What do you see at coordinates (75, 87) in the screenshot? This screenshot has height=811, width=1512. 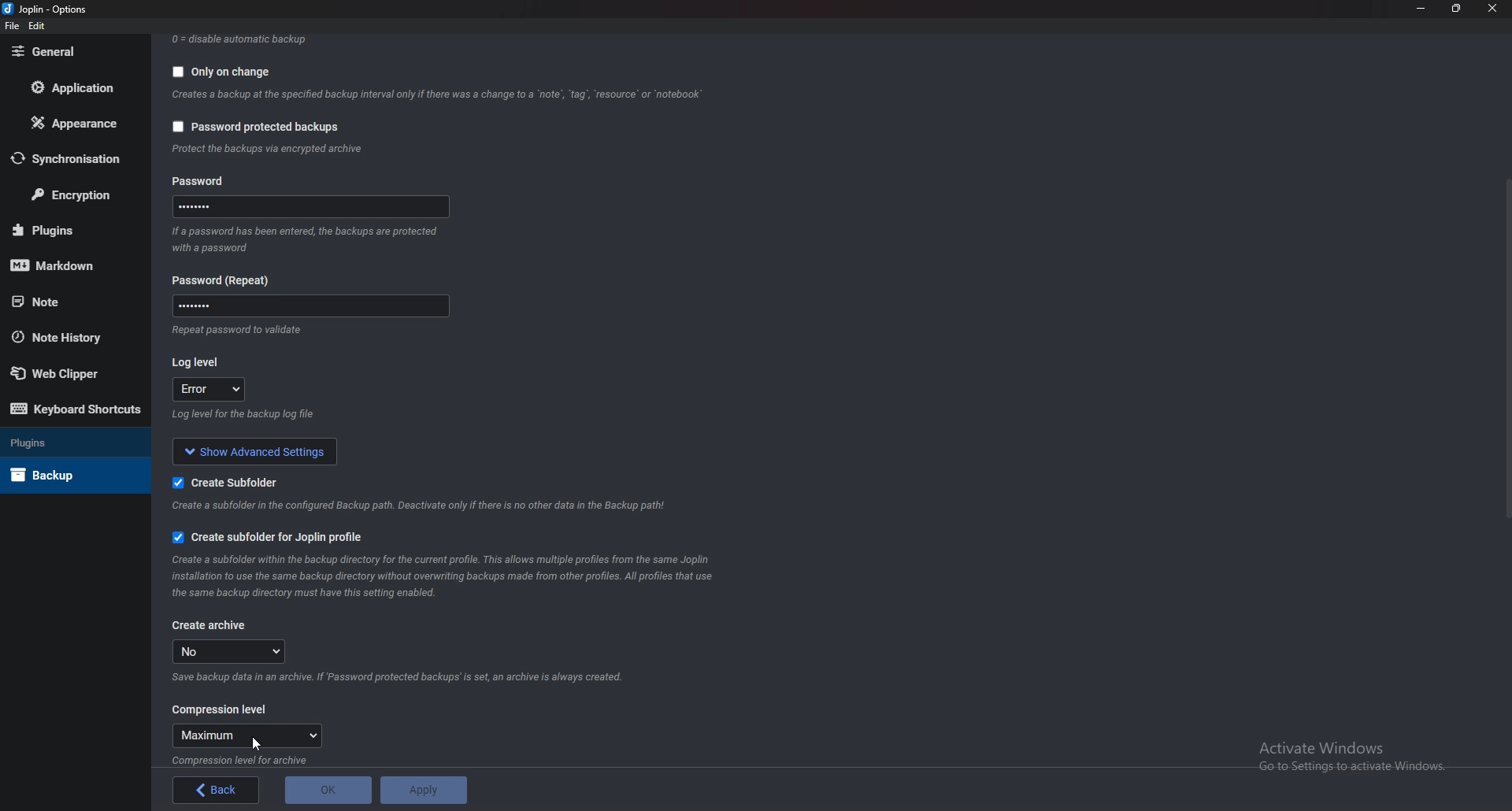 I see `Application` at bounding box center [75, 87].